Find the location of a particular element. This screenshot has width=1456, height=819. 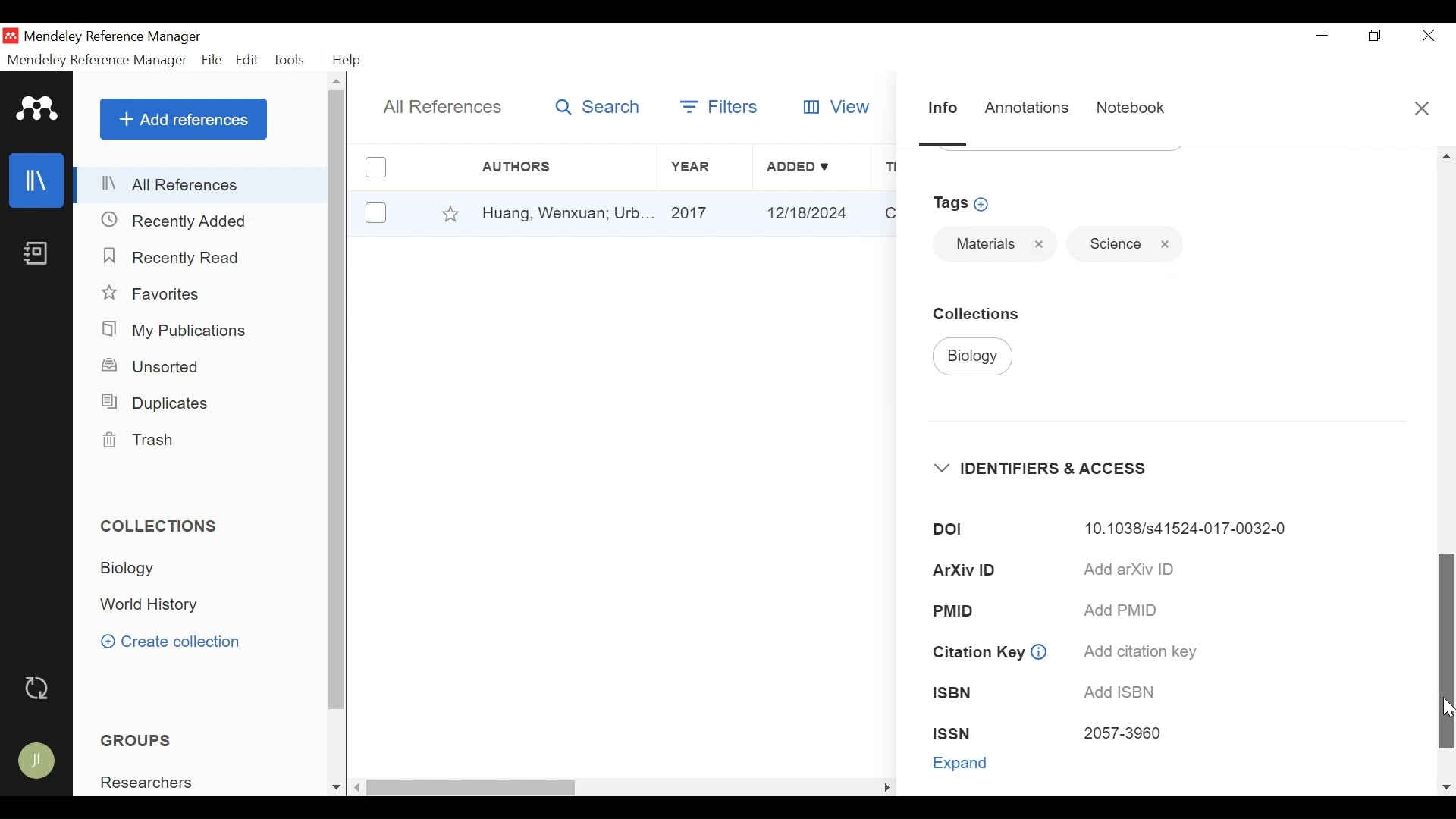

Scroll Rigt is located at coordinates (885, 789).